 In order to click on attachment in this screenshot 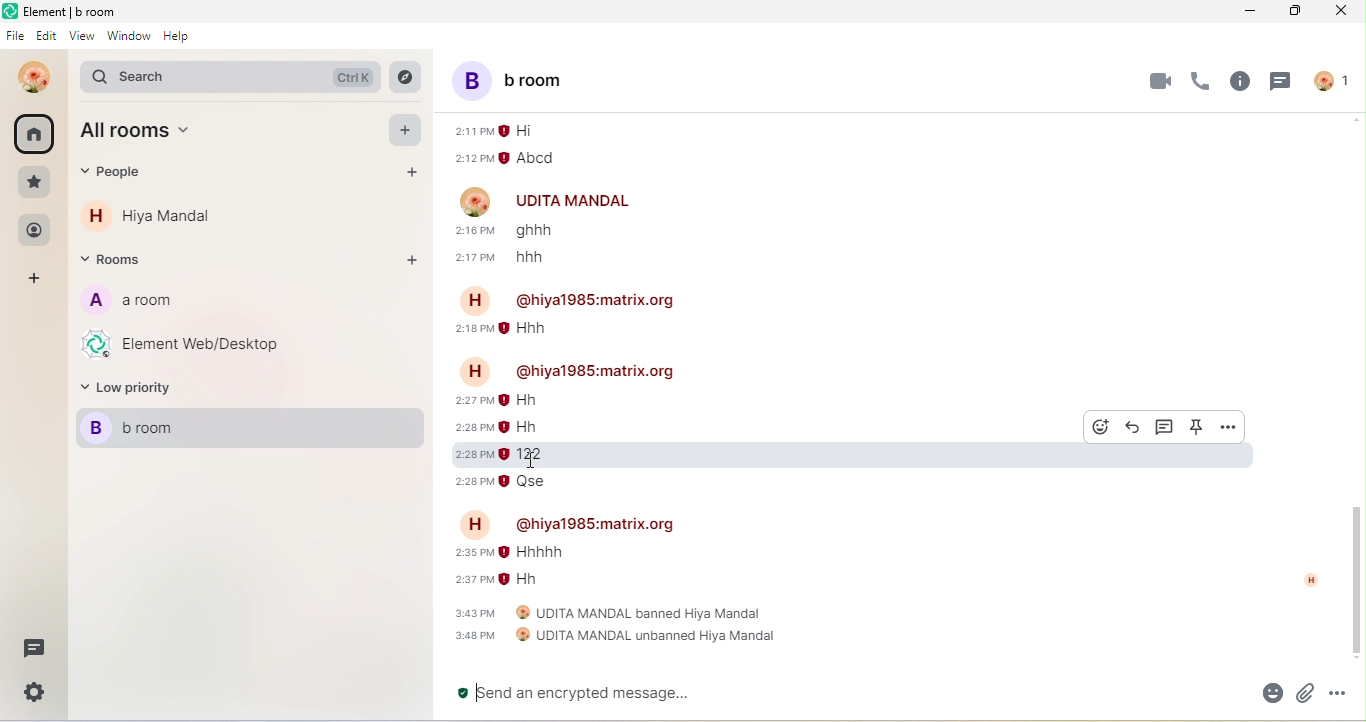, I will do `click(1306, 694)`.